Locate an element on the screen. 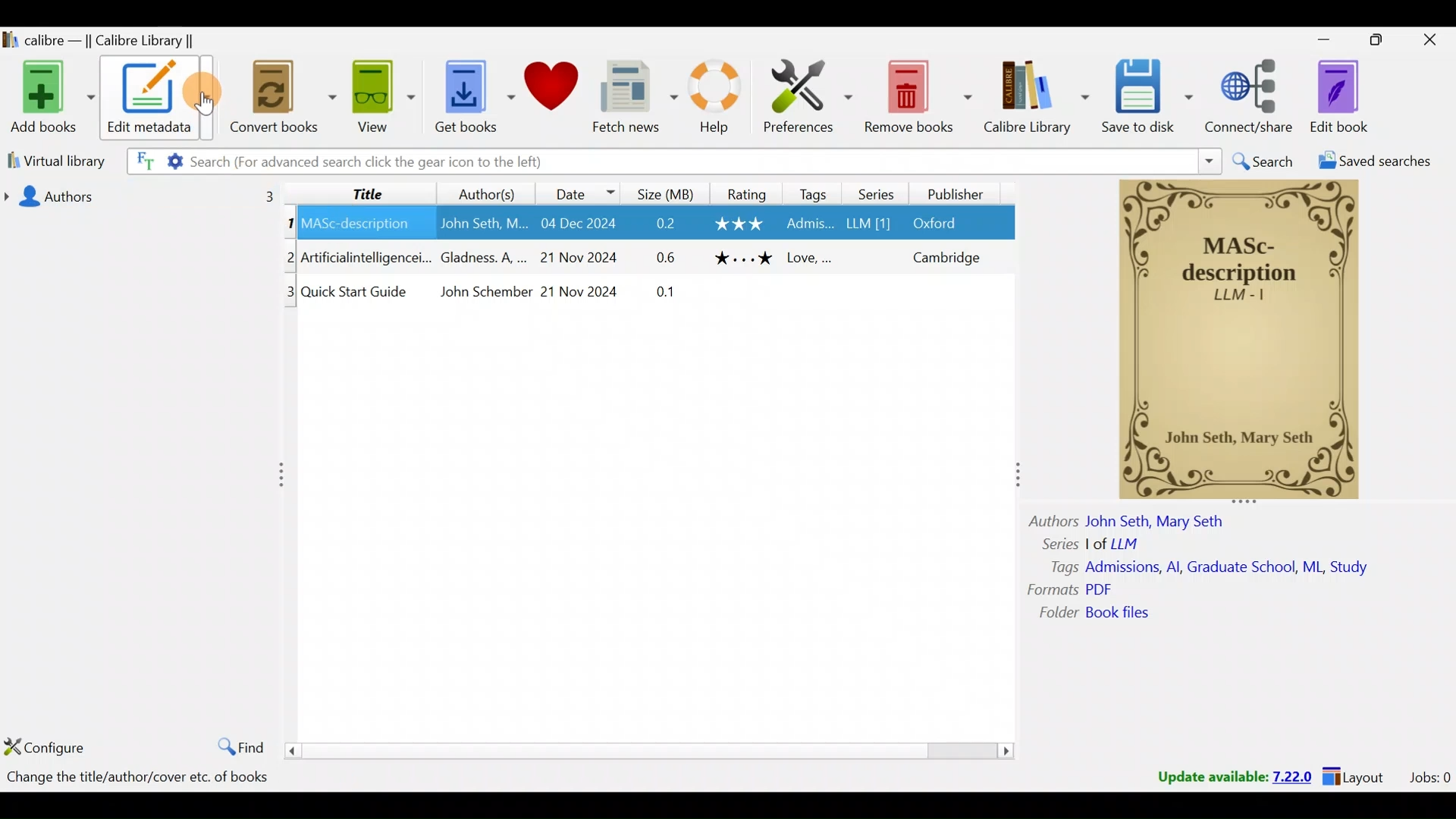   is located at coordinates (1158, 523).